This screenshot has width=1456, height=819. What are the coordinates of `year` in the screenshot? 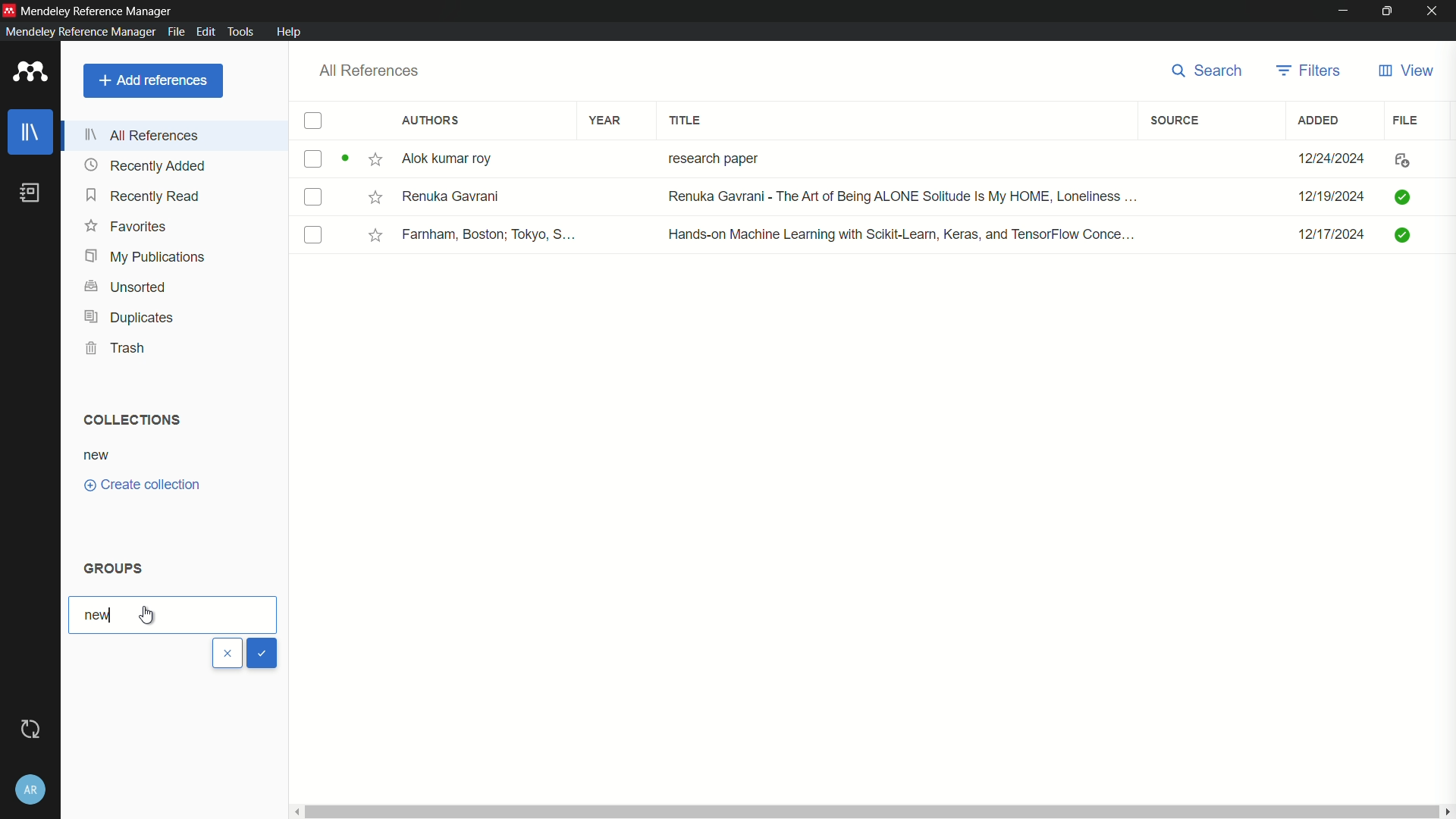 It's located at (605, 120).